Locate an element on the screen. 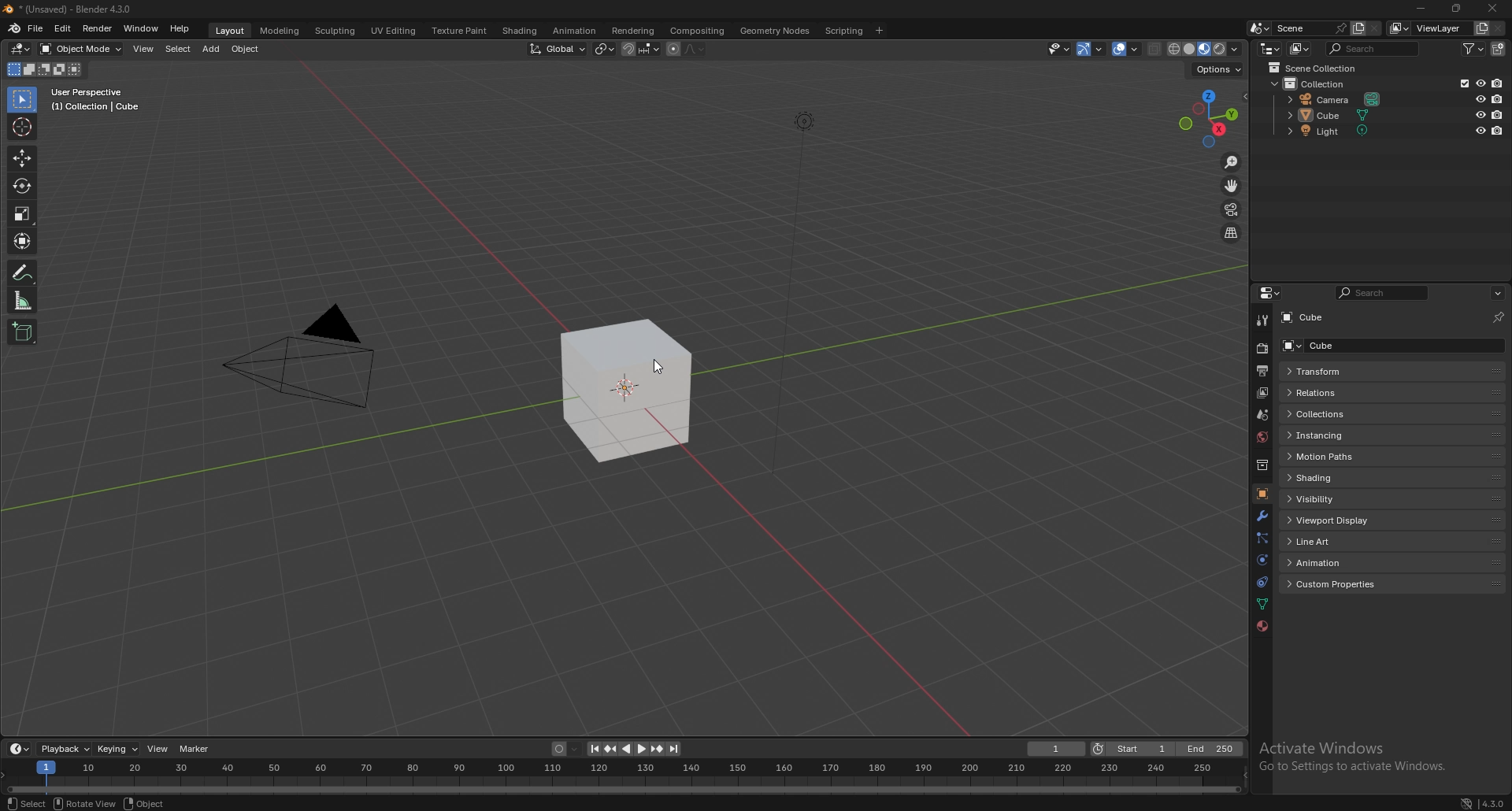 Image resolution: width=1512 pixels, height=811 pixels. proportional editing fall off is located at coordinates (693, 50).